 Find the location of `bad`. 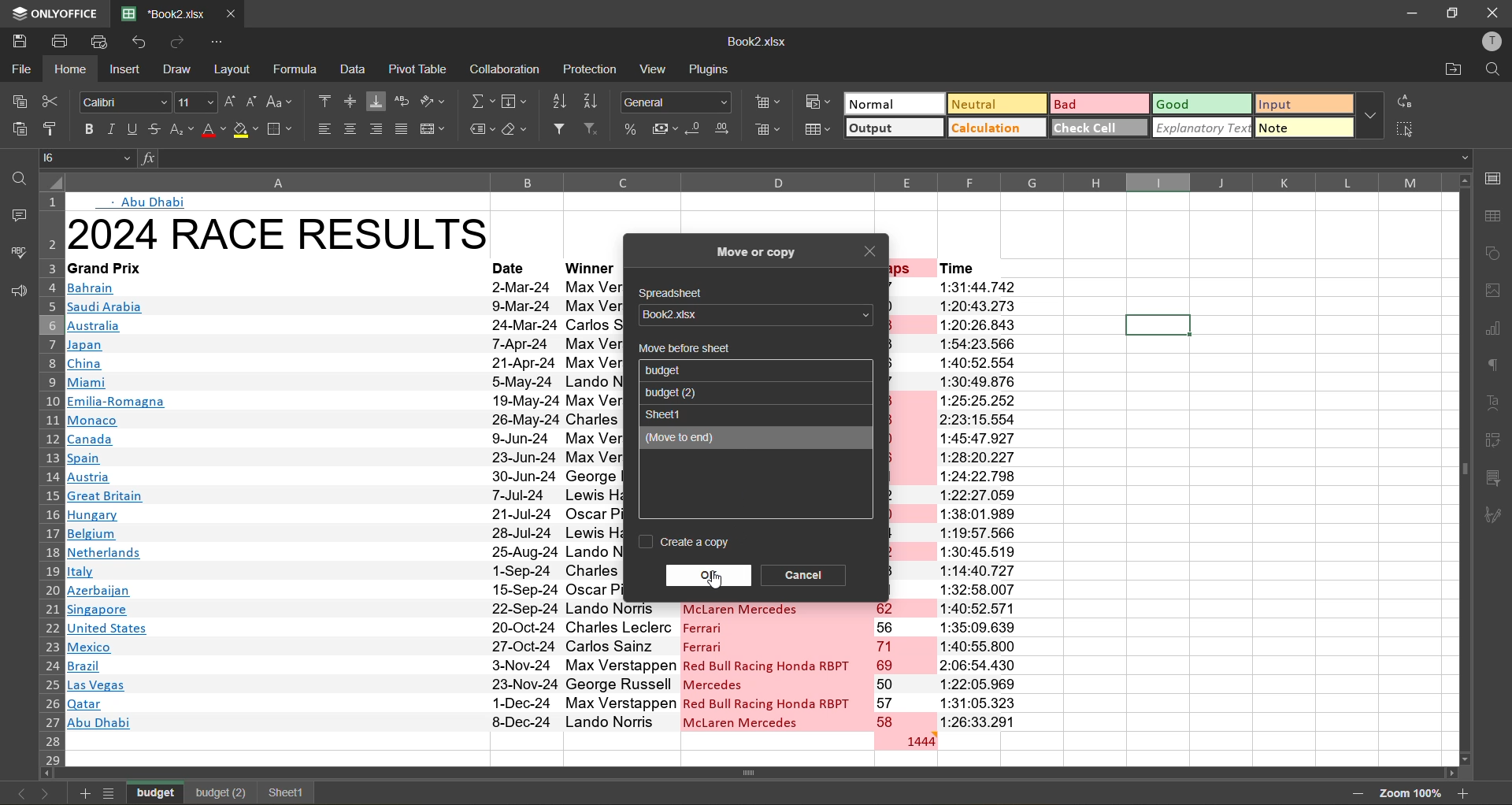

bad is located at coordinates (1097, 103).